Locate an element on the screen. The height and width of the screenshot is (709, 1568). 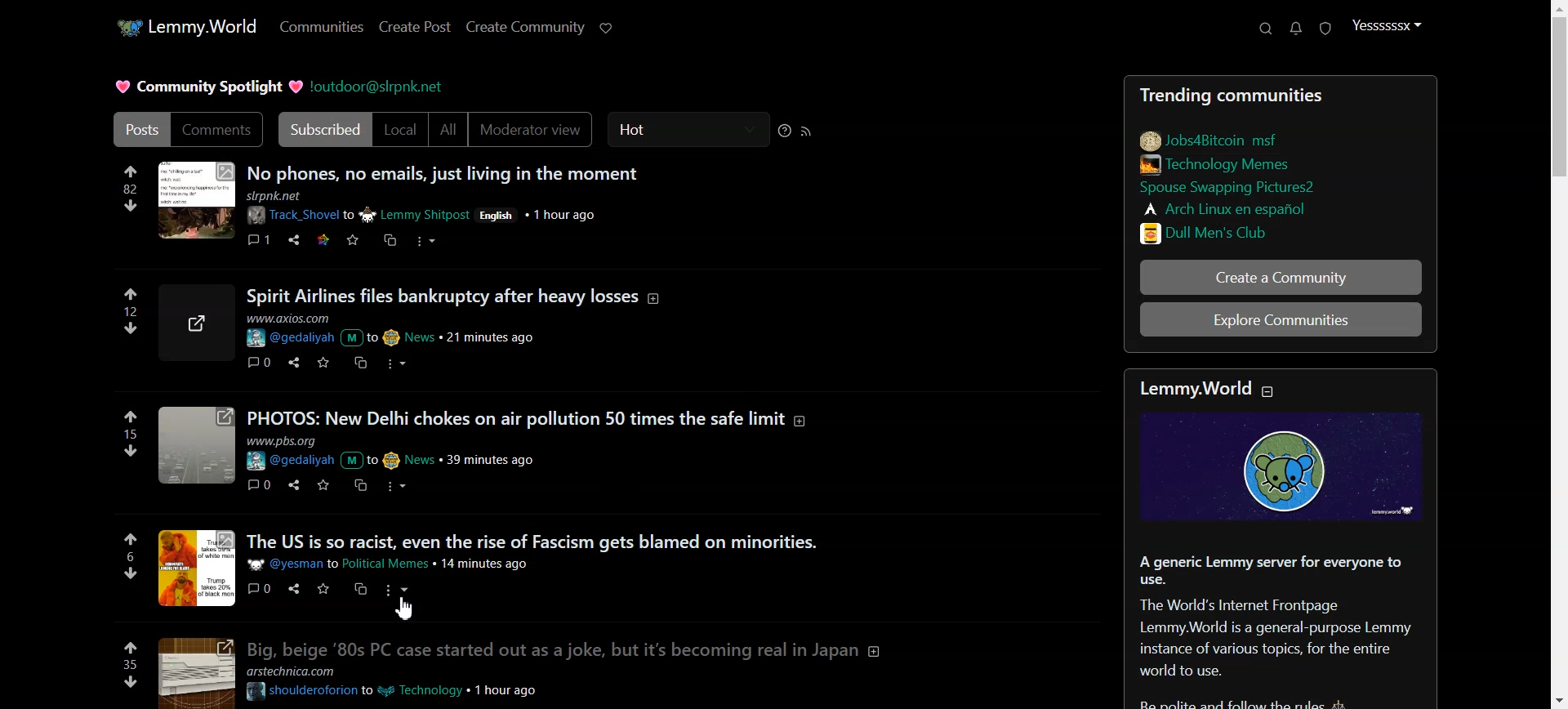
more is located at coordinates (393, 362).